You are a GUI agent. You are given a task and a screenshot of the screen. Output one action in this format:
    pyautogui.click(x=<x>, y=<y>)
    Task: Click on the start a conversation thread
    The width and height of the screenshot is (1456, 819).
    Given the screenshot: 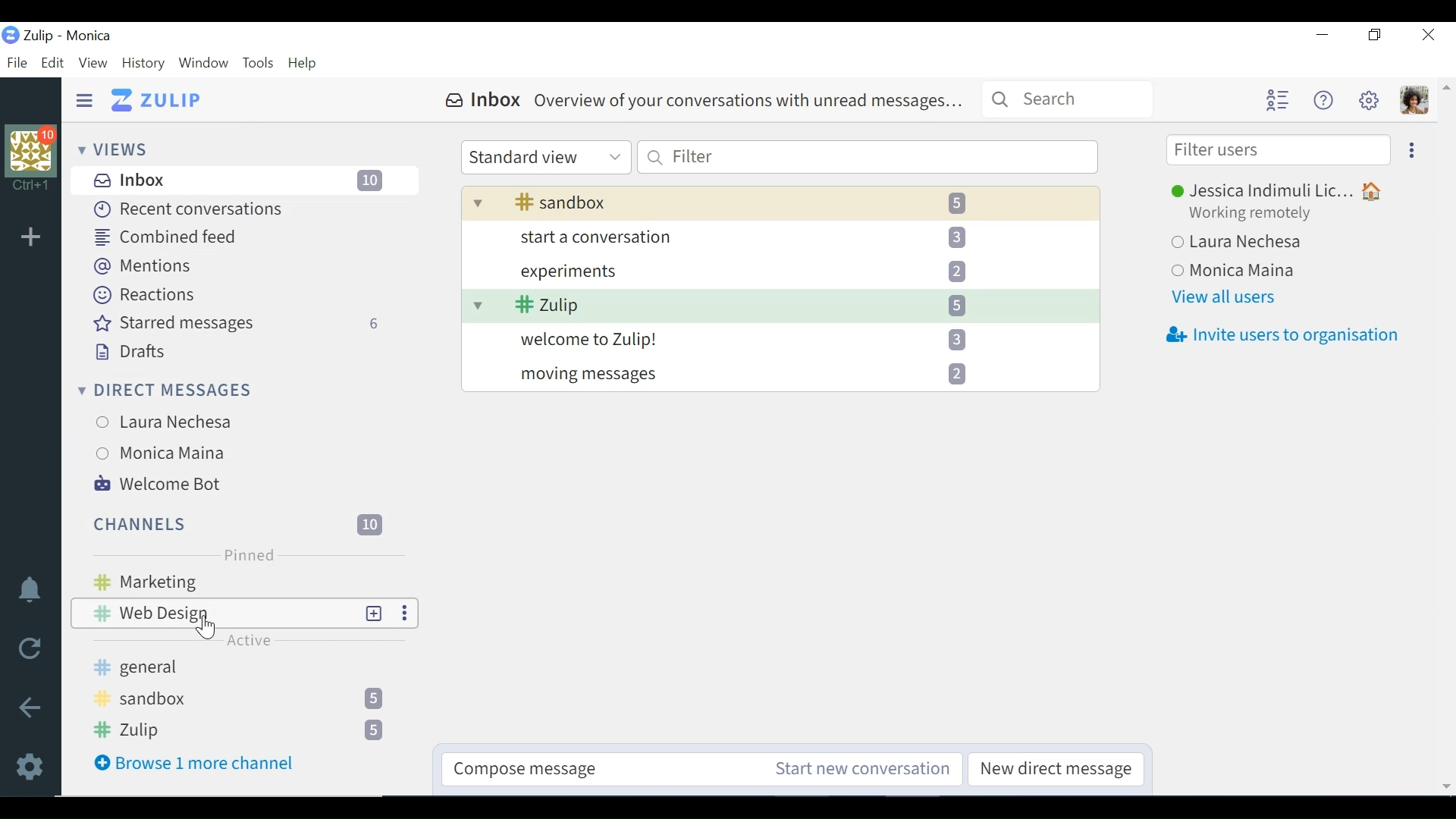 What is the action you would take?
    pyautogui.click(x=765, y=237)
    